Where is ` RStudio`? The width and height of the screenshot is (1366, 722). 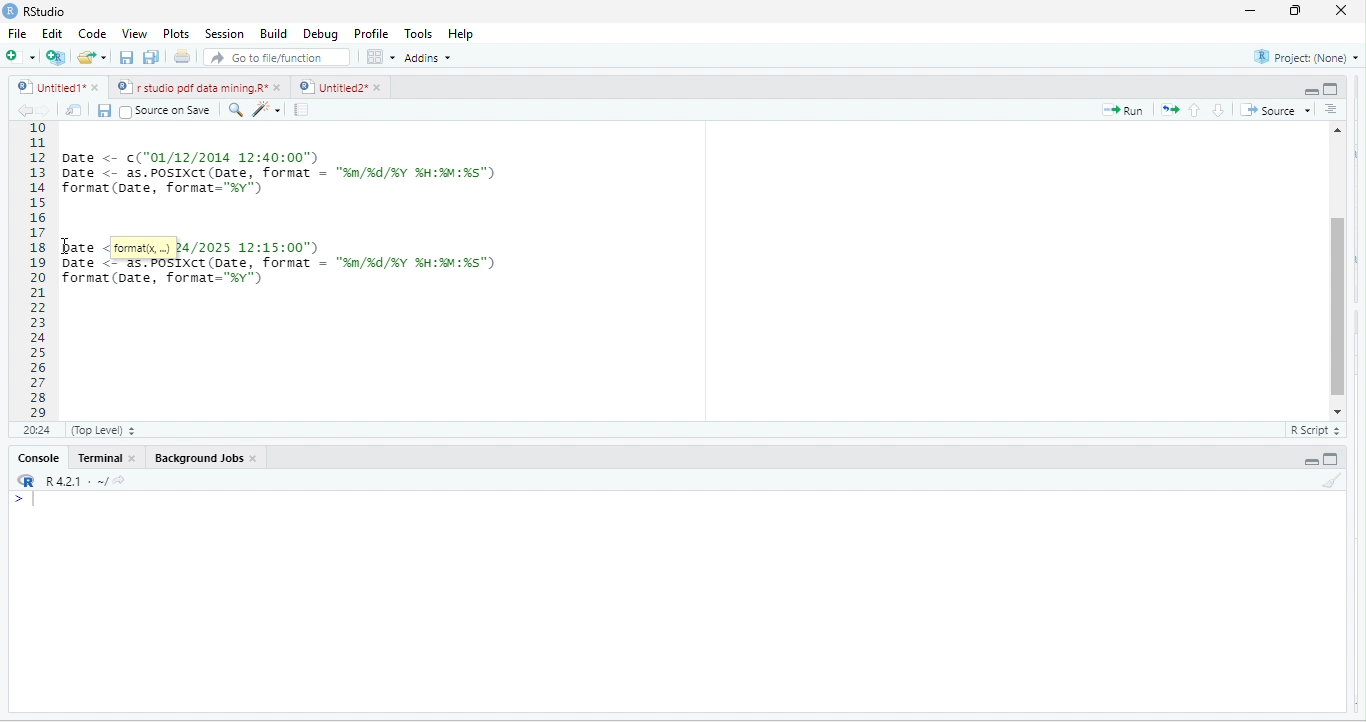
 RStudio is located at coordinates (43, 12).